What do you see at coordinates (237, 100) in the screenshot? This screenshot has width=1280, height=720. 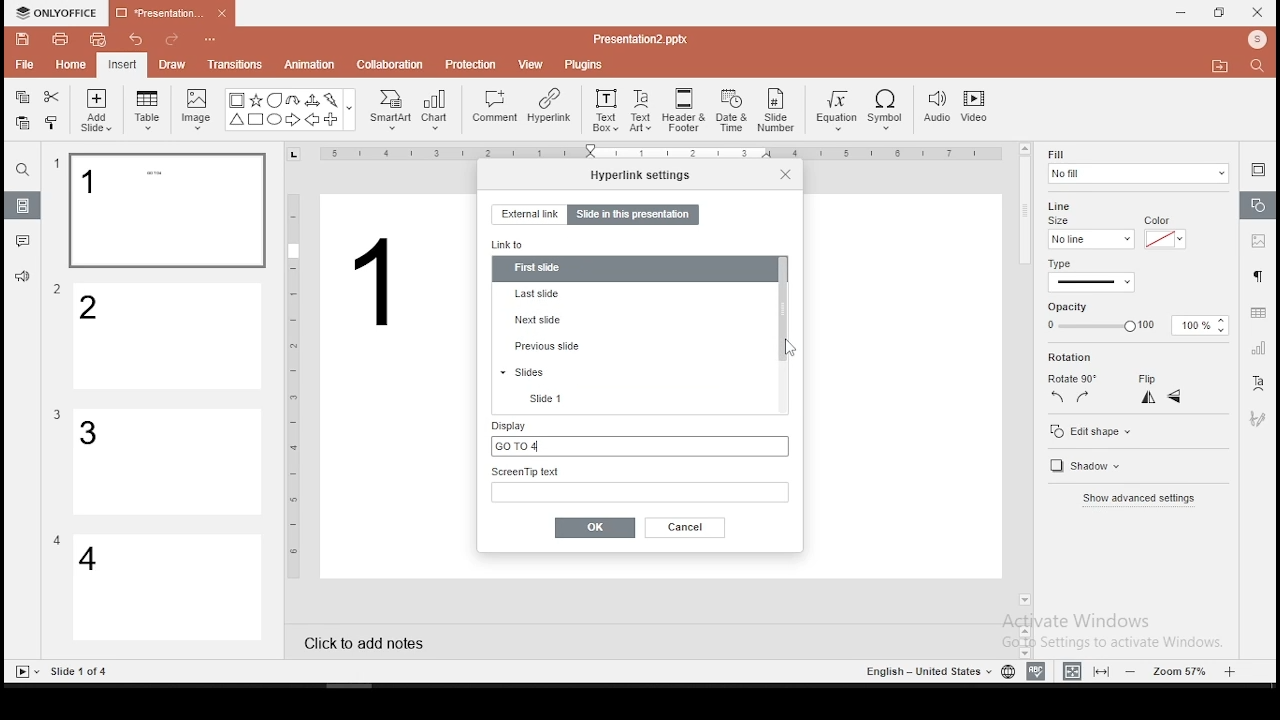 I see `Bordered Box` at bounding box center [237, 100].